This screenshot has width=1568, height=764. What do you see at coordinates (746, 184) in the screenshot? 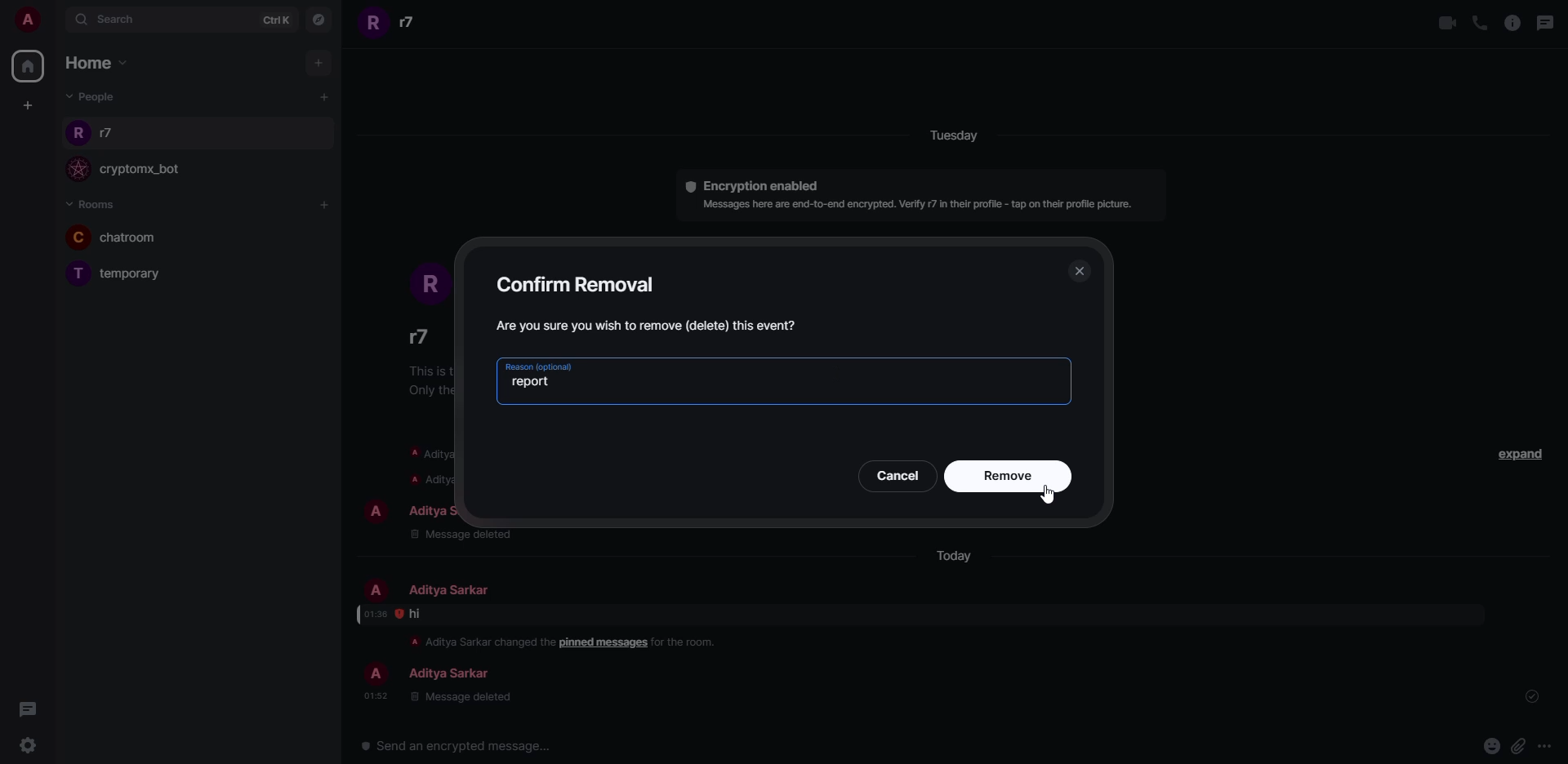
I see `encryption enabled` at bounding box center [746, 184].